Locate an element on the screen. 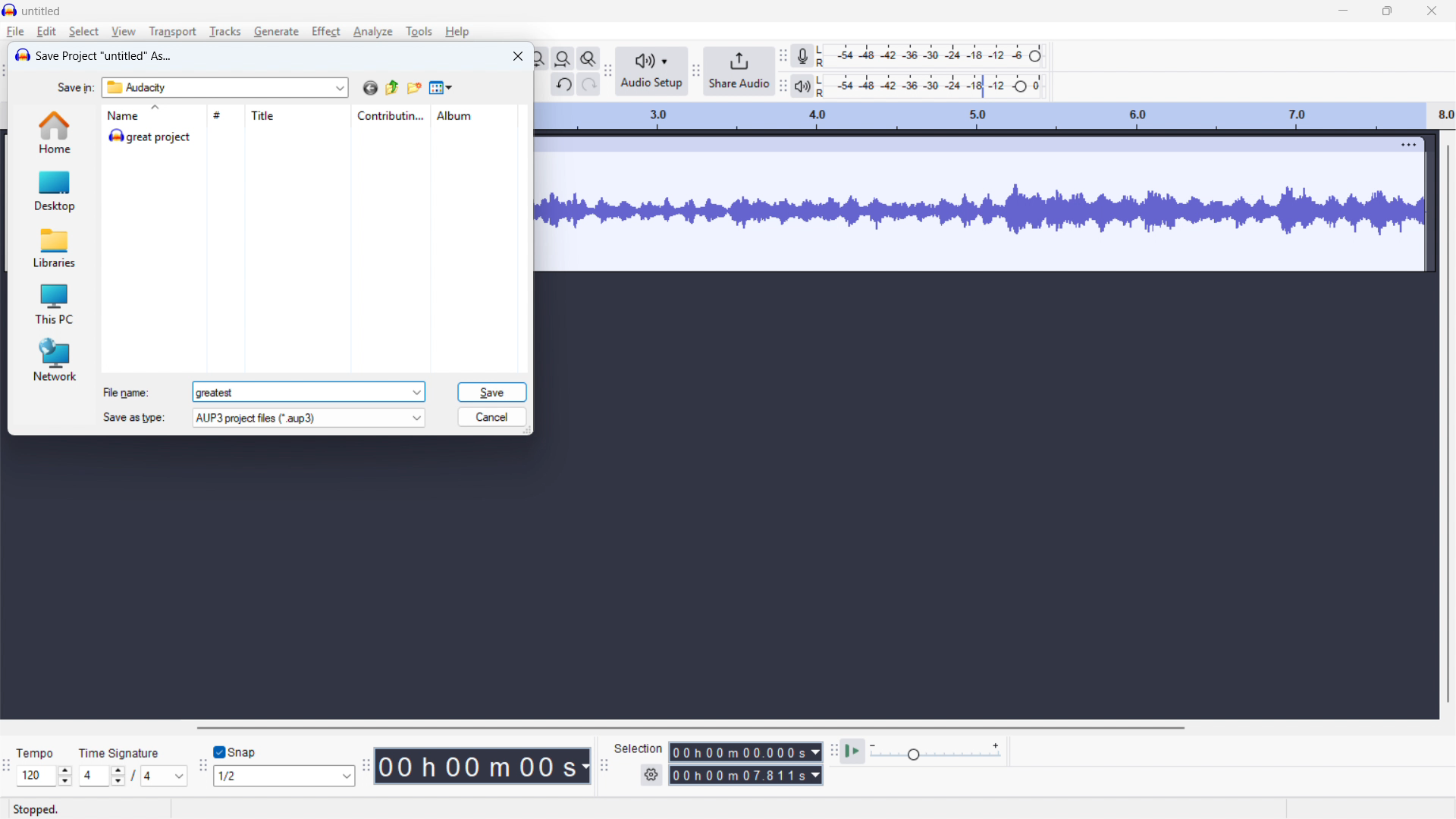  cancel is located at coordinates (493, 417).